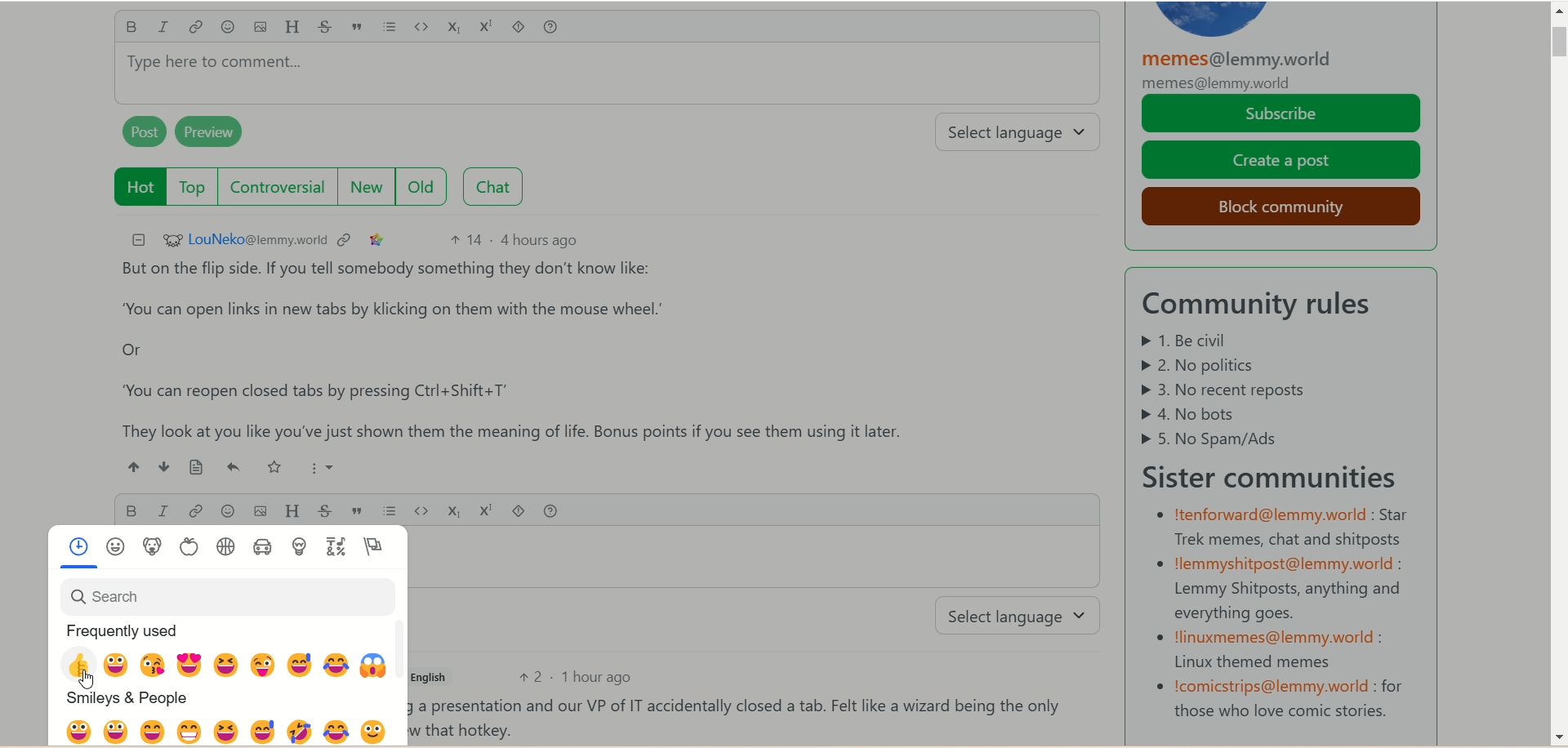  I want to click on spoiler, so click(516, 510).